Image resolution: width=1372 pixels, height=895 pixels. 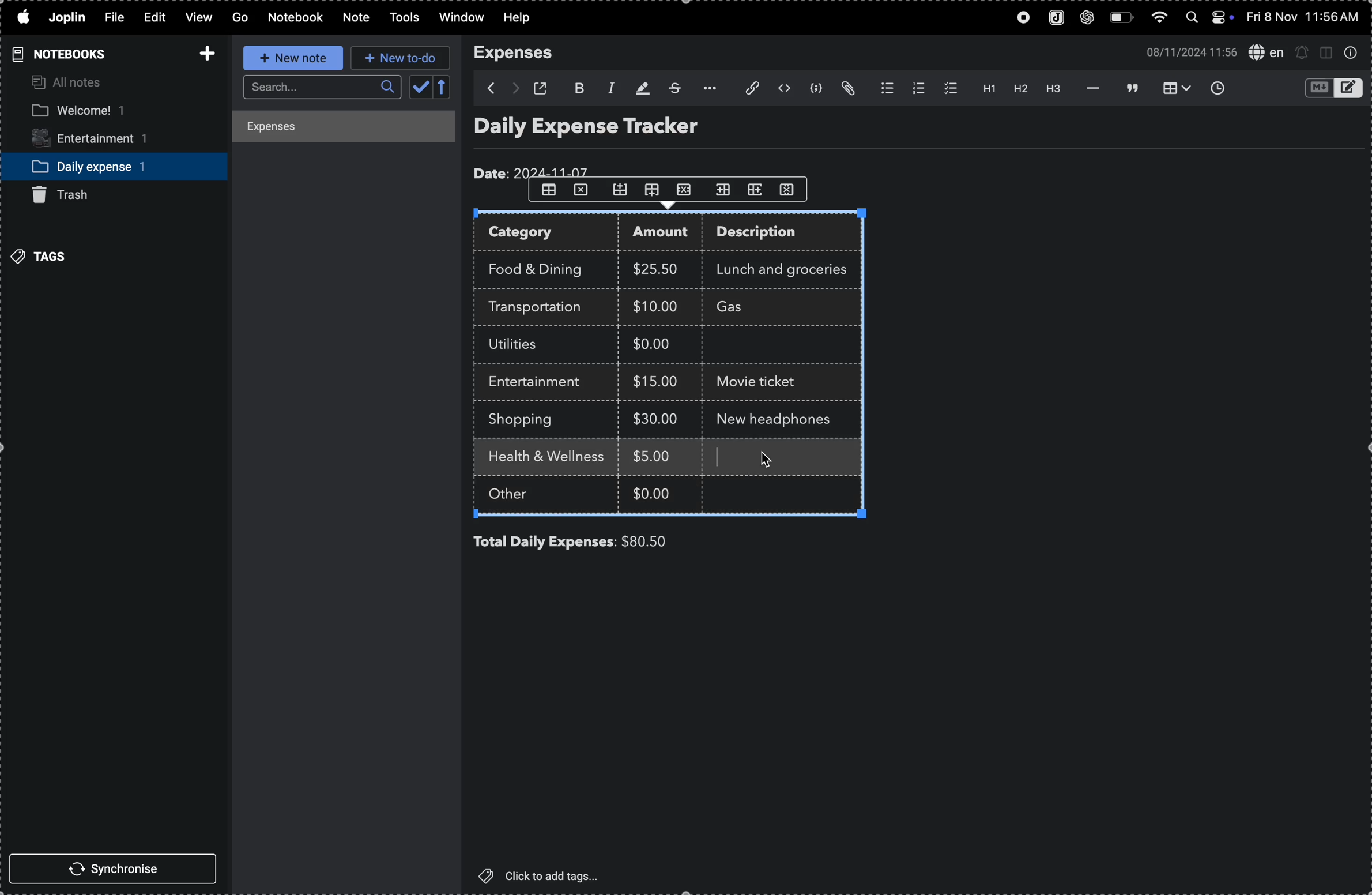 I want to click on new headphones, so click(x=770, y=418).